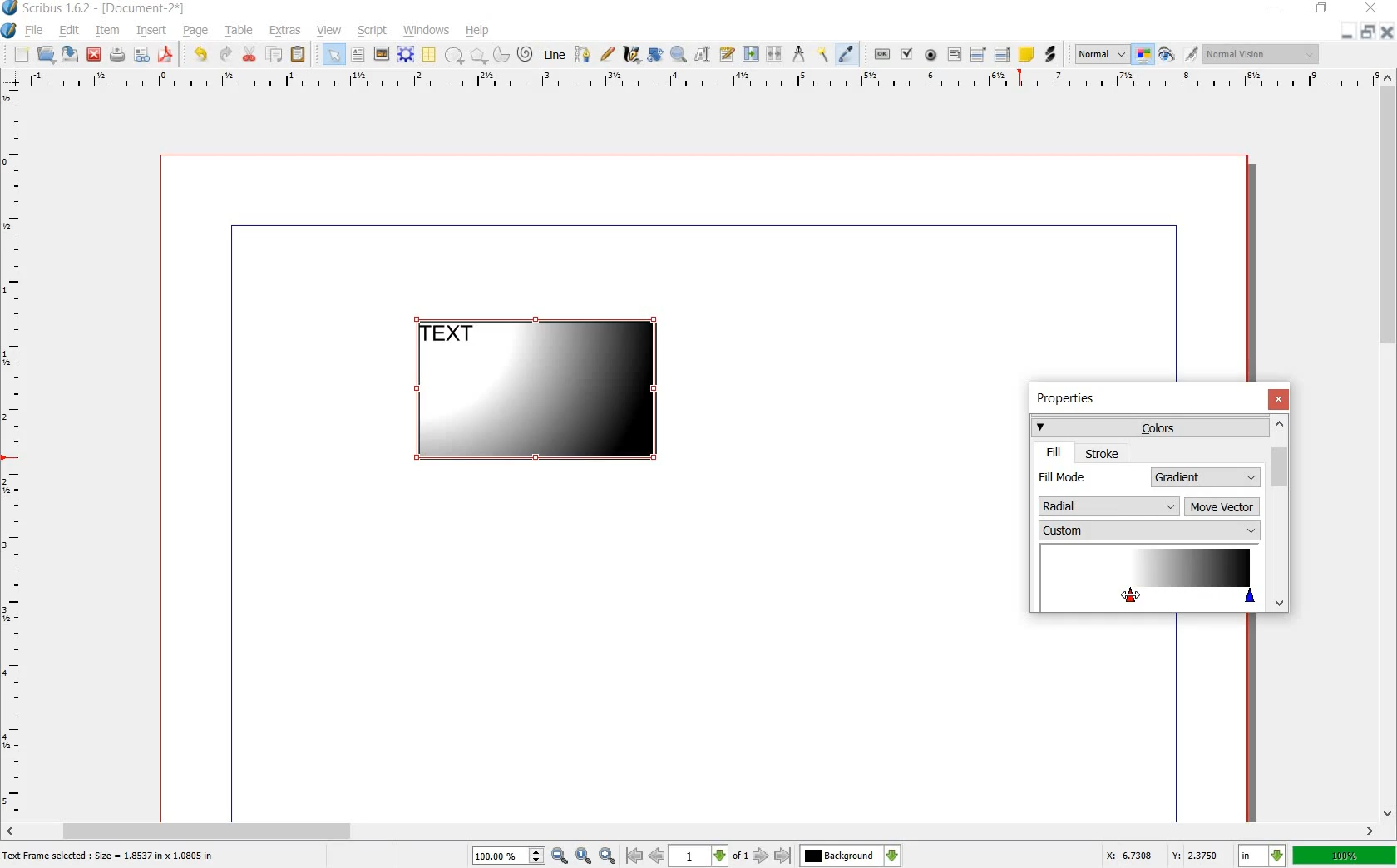  I want to click on select item, so click(333, 54).